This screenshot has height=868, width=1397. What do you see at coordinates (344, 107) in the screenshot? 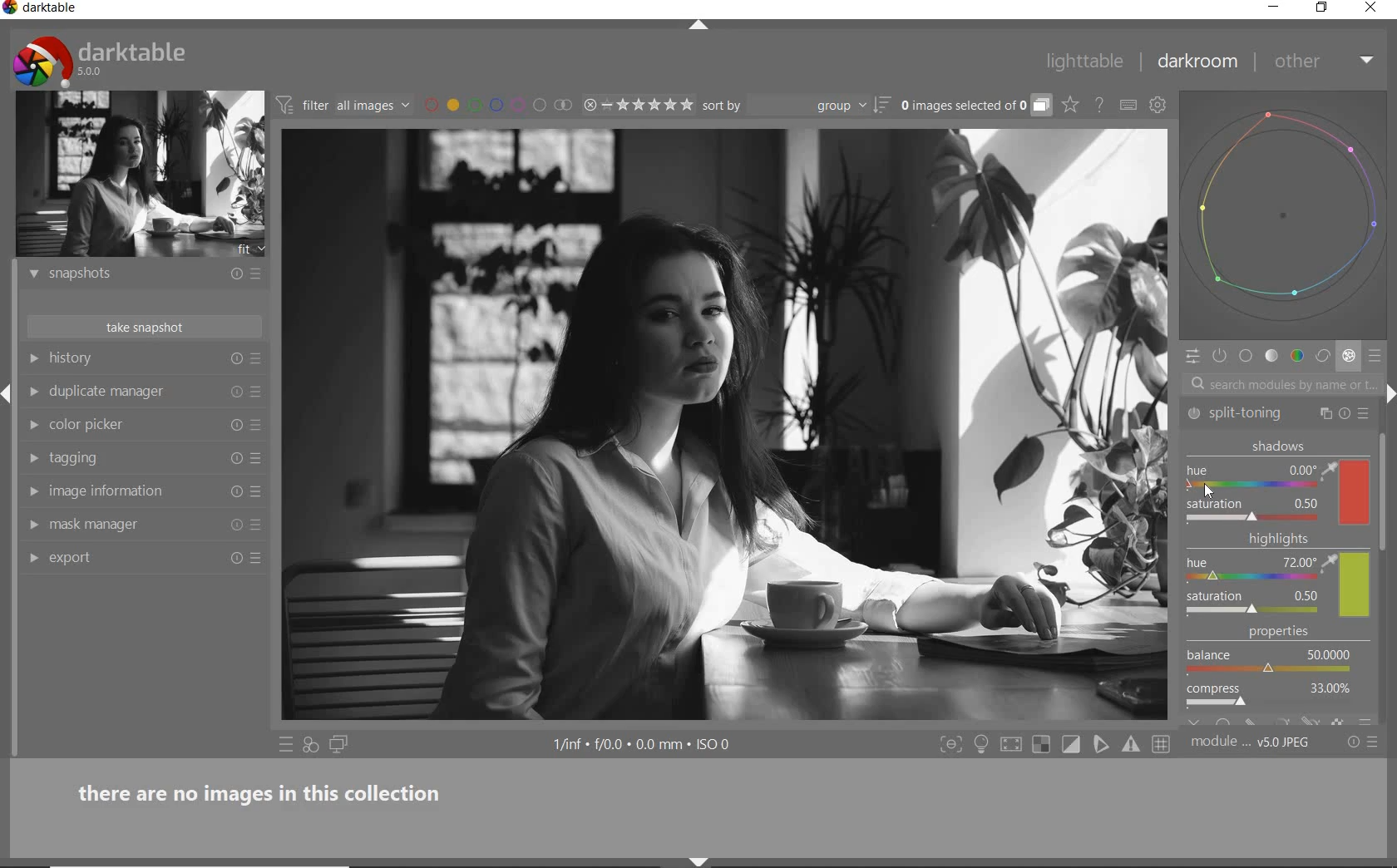
I see `filter images based on their module order` at bounding box center [344, 107].